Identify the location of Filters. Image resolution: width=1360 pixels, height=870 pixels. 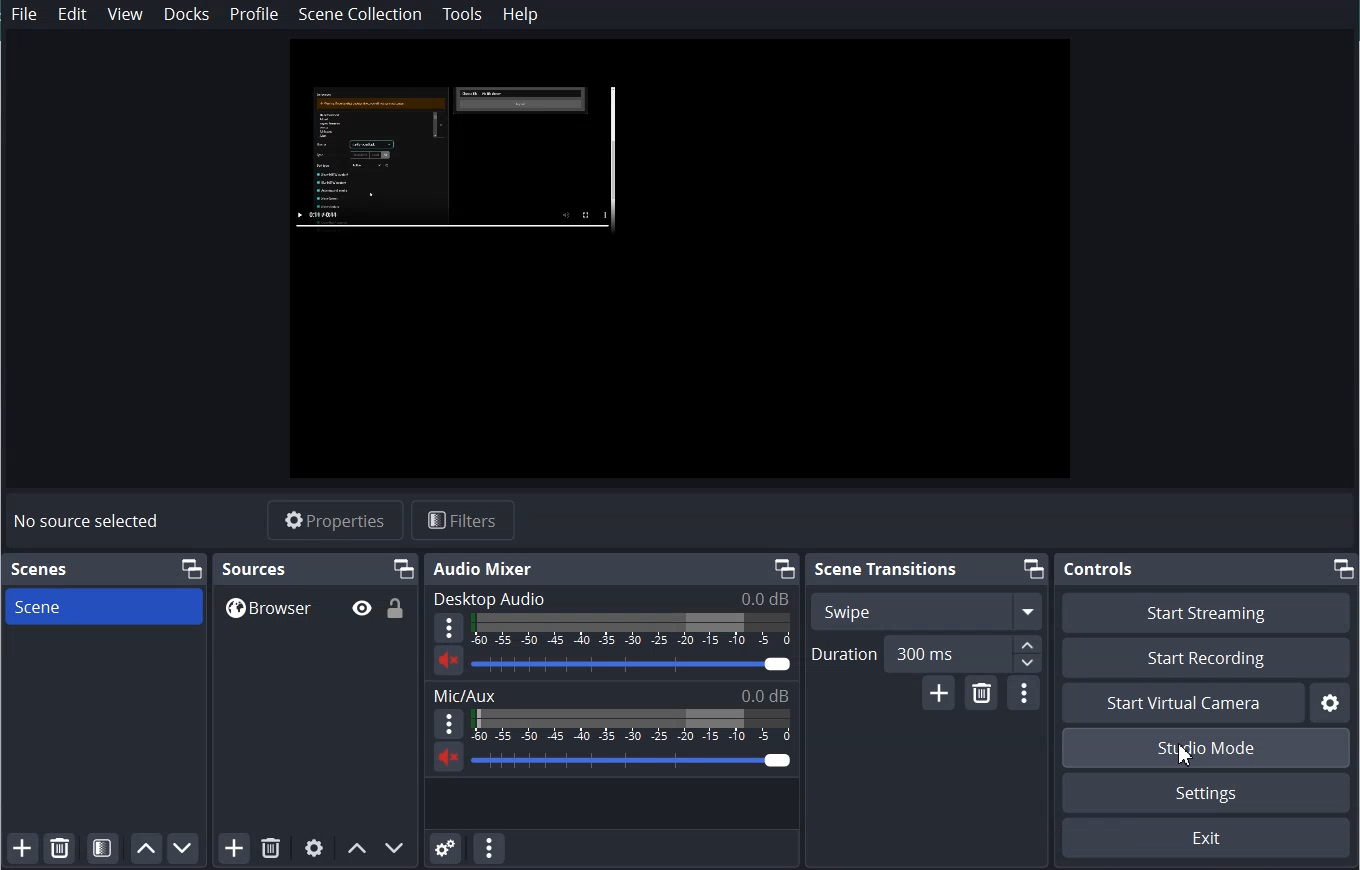
(463, 519).